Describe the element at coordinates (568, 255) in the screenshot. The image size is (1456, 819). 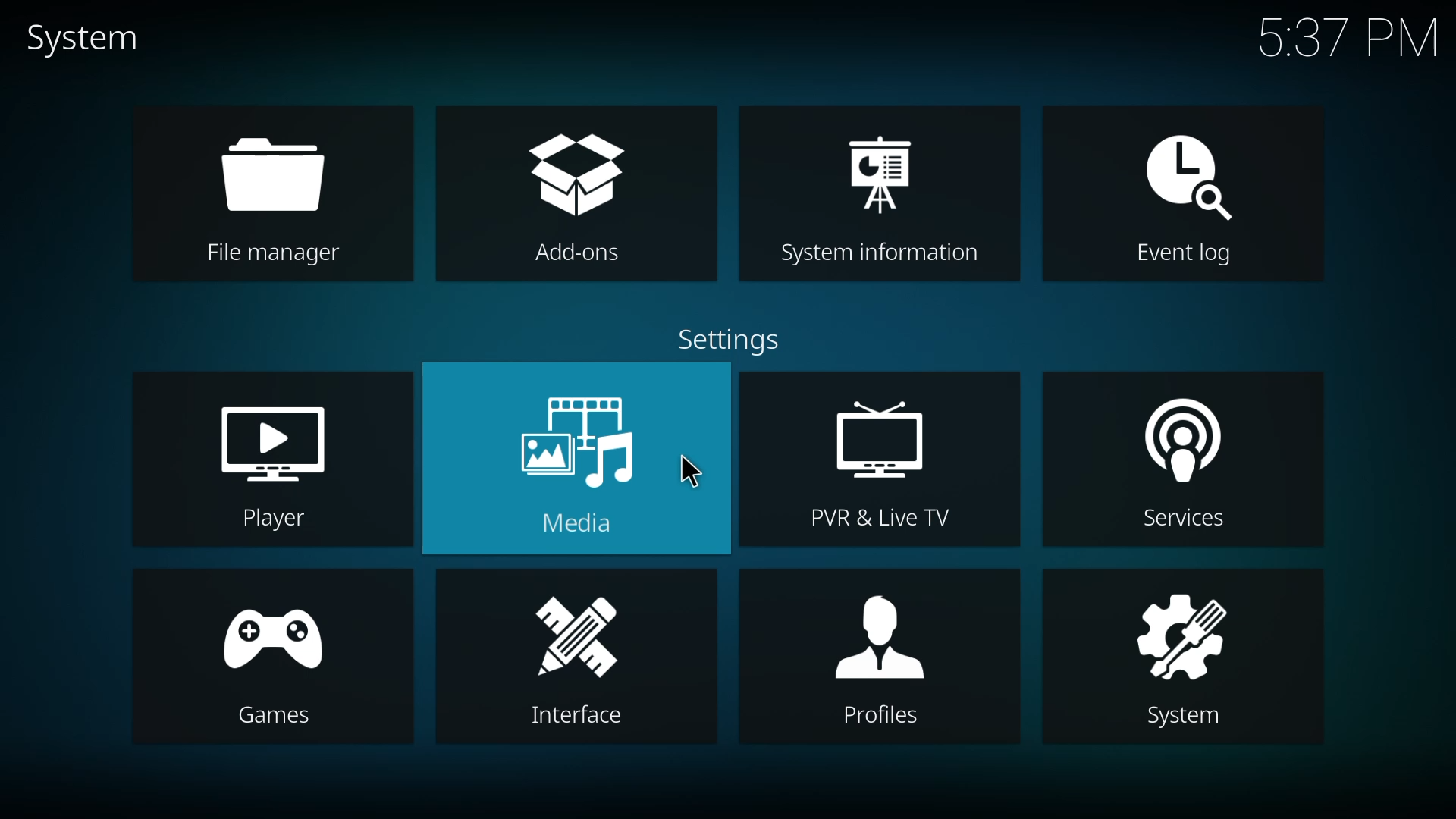
I see `Add-ons` at that location.